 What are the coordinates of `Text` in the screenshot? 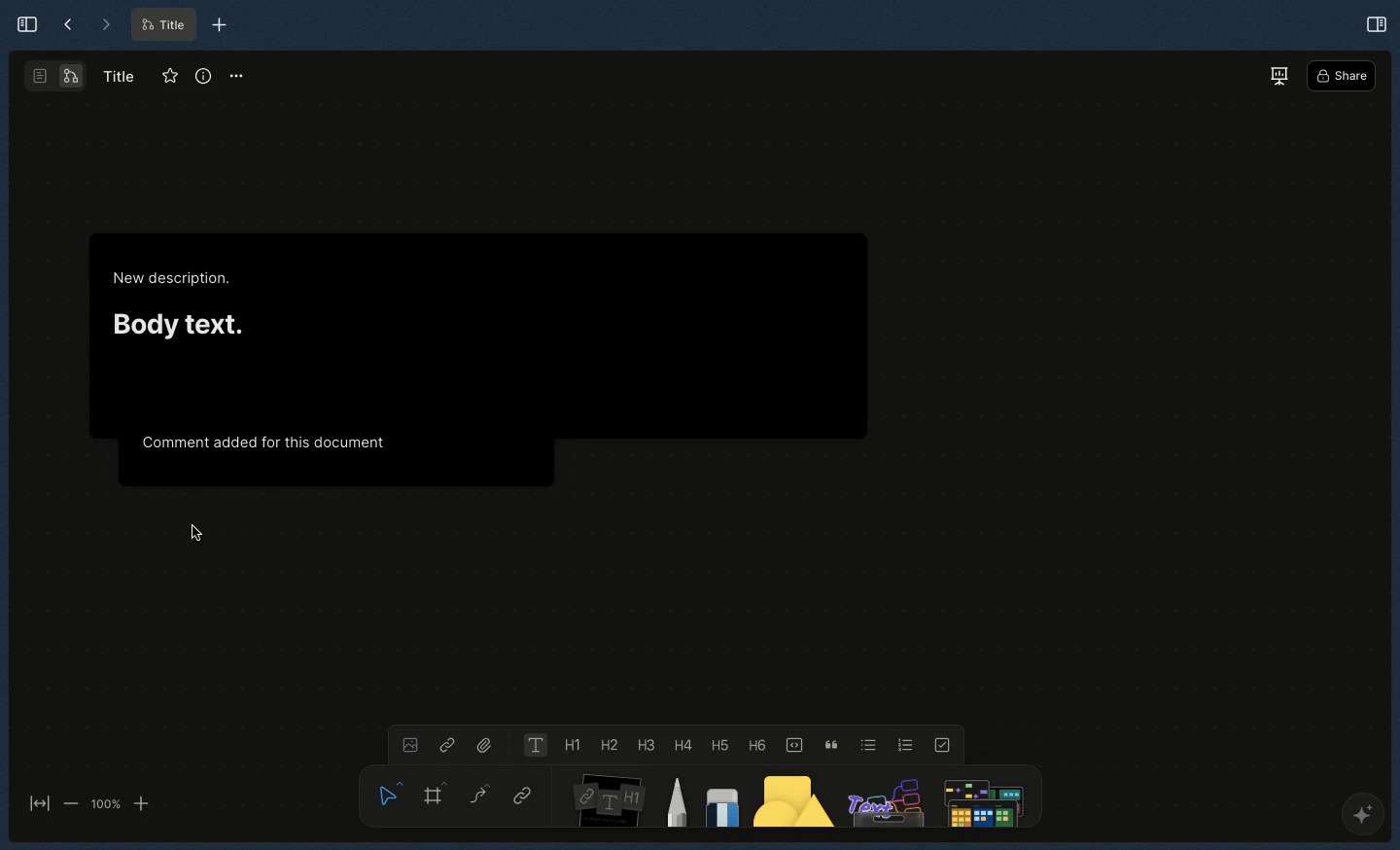 It's located at (533, 745).